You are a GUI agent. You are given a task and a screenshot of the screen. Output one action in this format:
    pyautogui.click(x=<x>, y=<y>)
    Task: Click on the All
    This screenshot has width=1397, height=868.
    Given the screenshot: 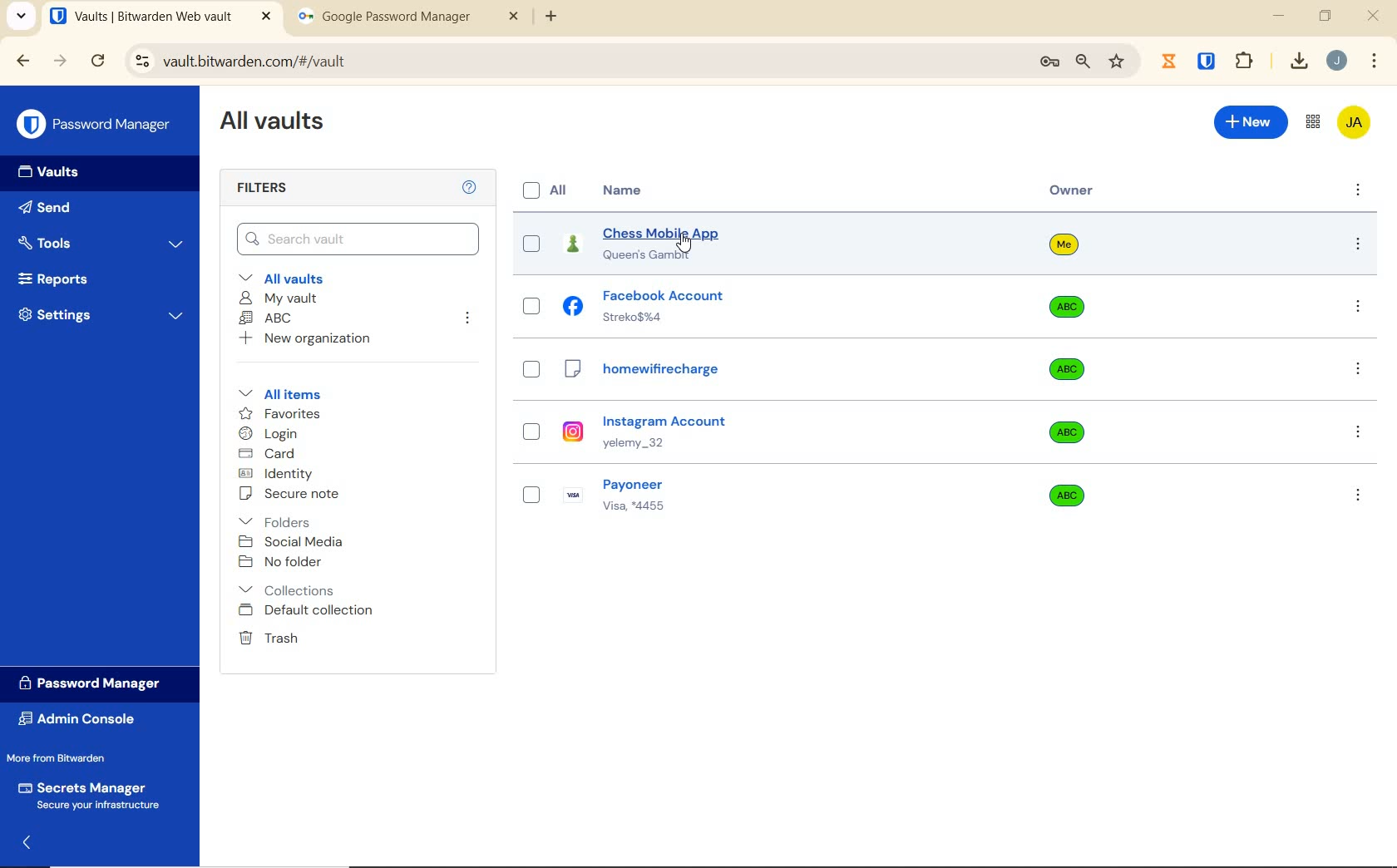 What is the action you would take?
    pyautogui.click(x=544, y=191)
    